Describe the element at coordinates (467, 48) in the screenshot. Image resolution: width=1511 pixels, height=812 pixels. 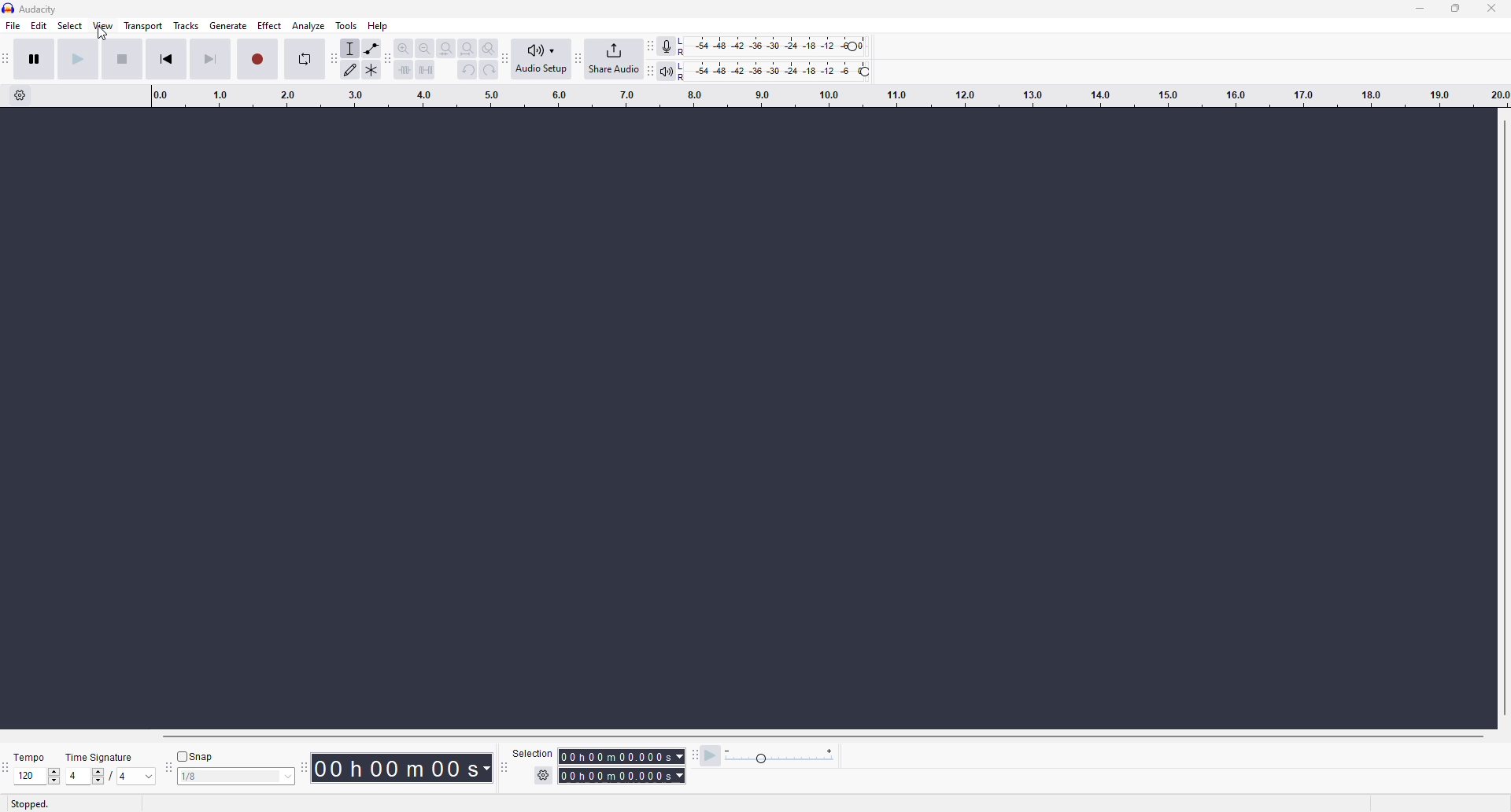
I see `fit project to width` at that location.